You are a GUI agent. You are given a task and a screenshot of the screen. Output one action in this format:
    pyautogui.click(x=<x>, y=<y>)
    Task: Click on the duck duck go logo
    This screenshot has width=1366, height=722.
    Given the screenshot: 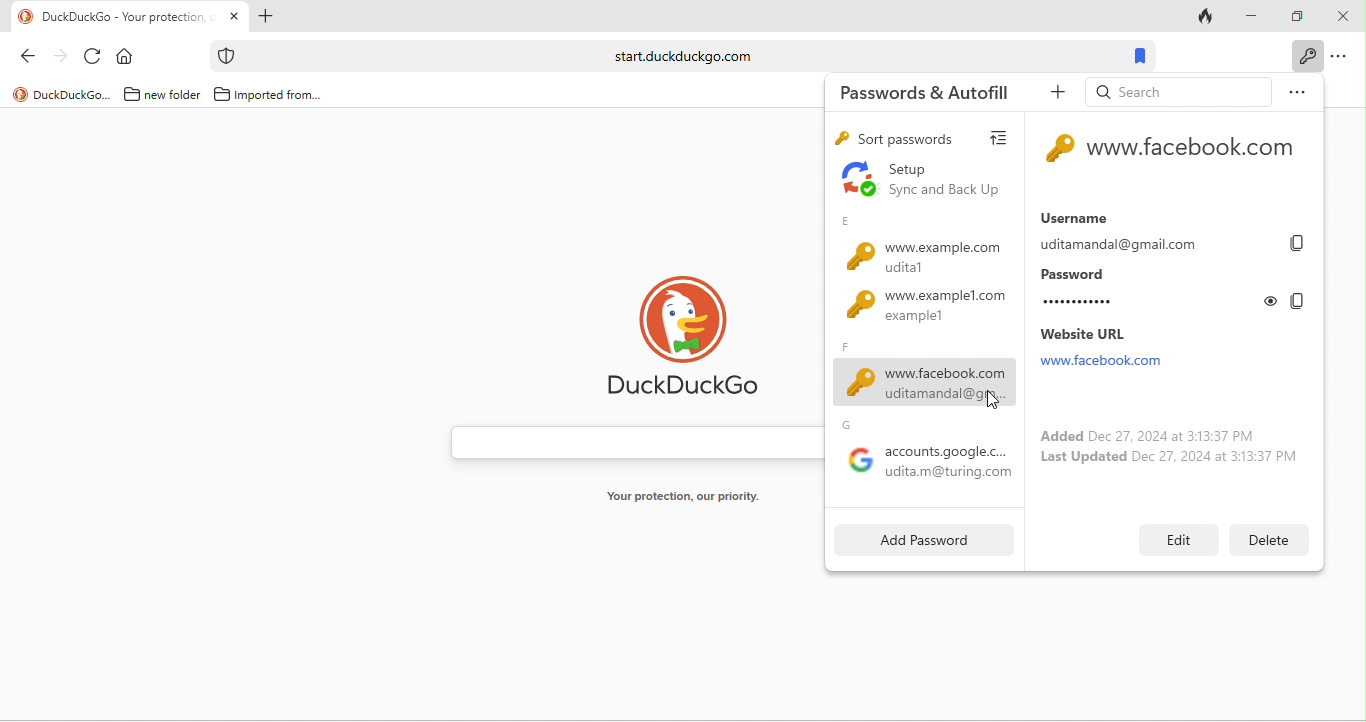 What is the action you would take?
    pyautogui.click(x=694, y=341)
    